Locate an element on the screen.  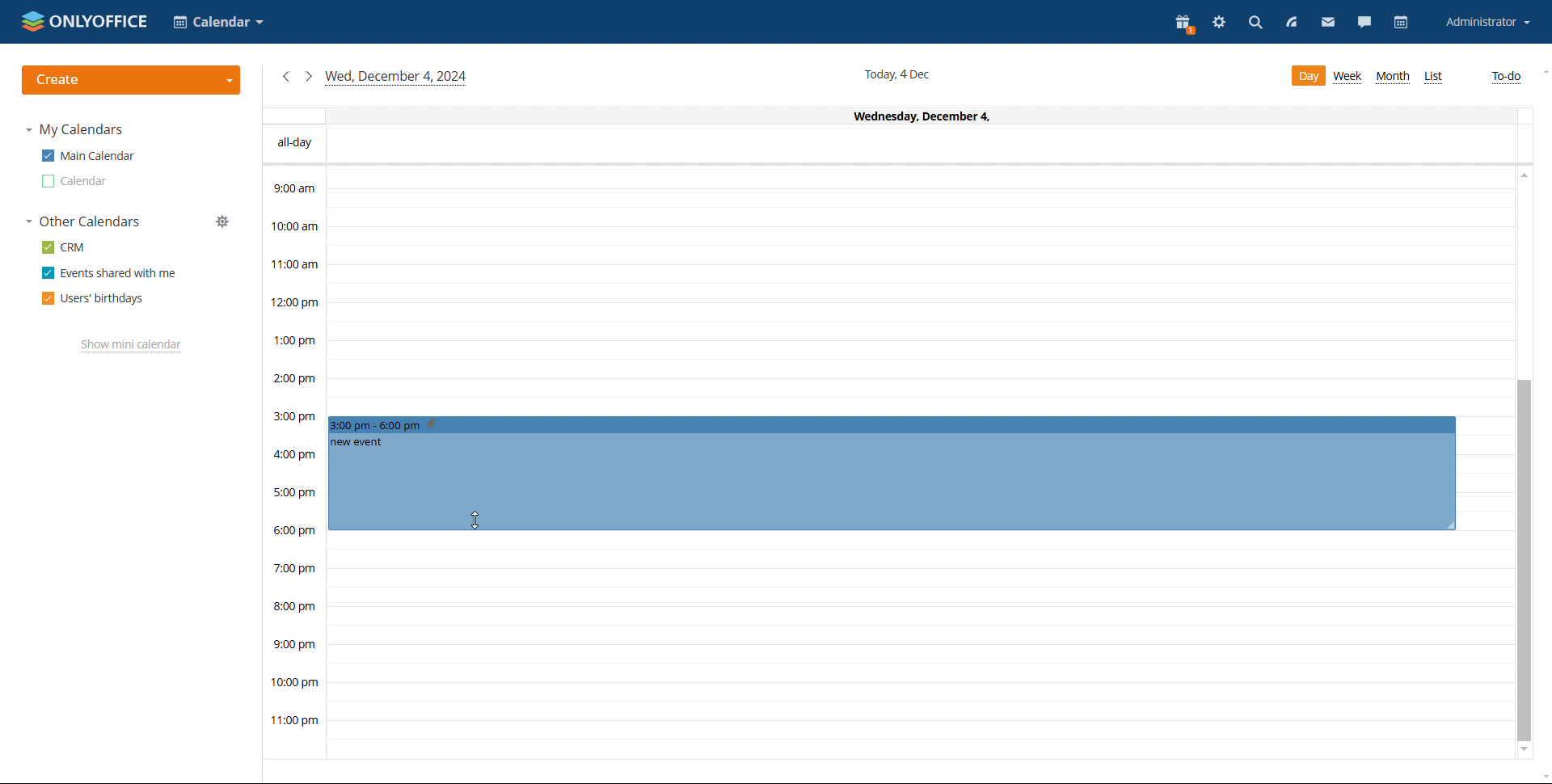
settings is located at coordinates (1219, 24).